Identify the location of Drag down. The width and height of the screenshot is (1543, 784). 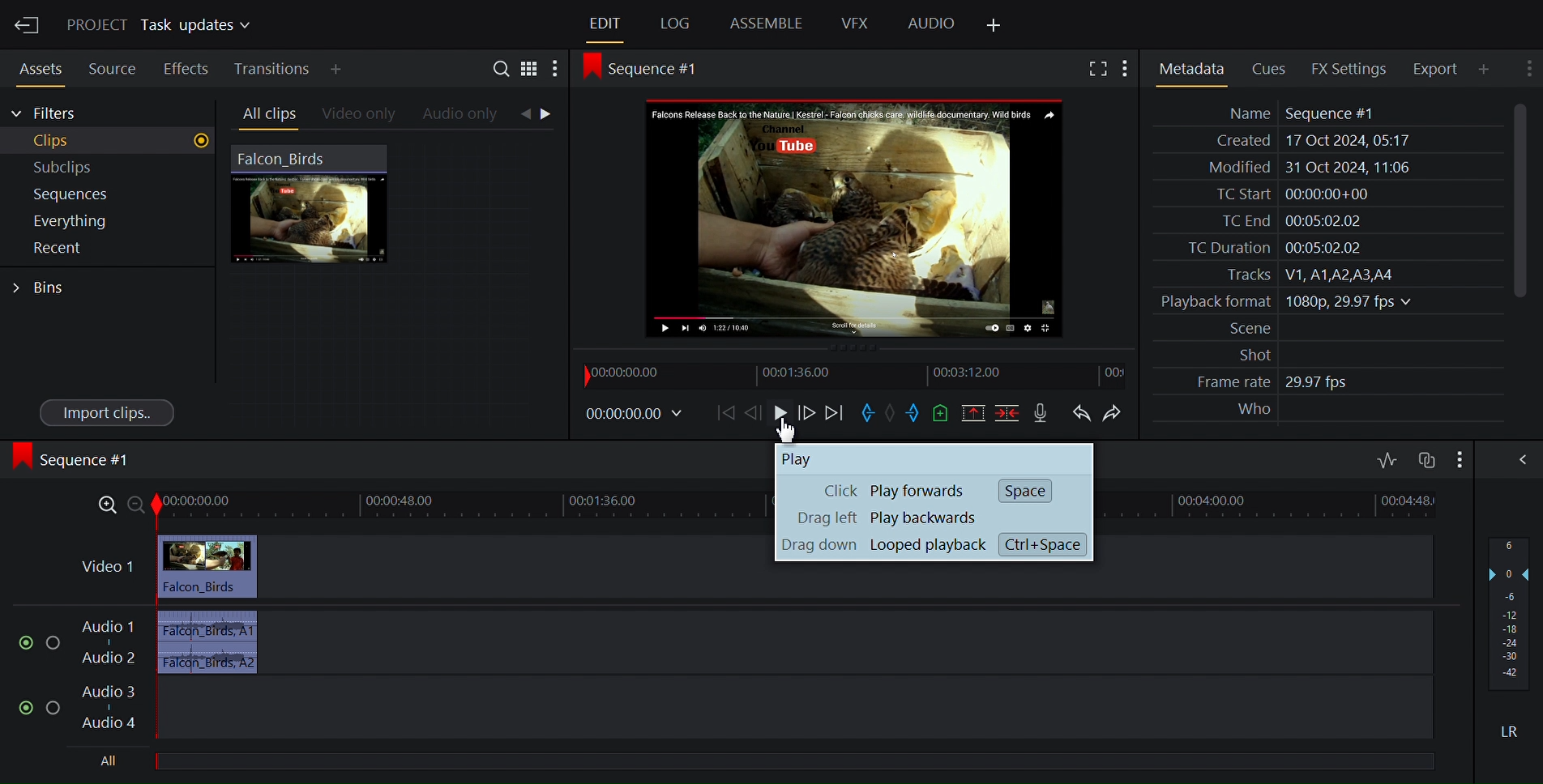
(815, 548).